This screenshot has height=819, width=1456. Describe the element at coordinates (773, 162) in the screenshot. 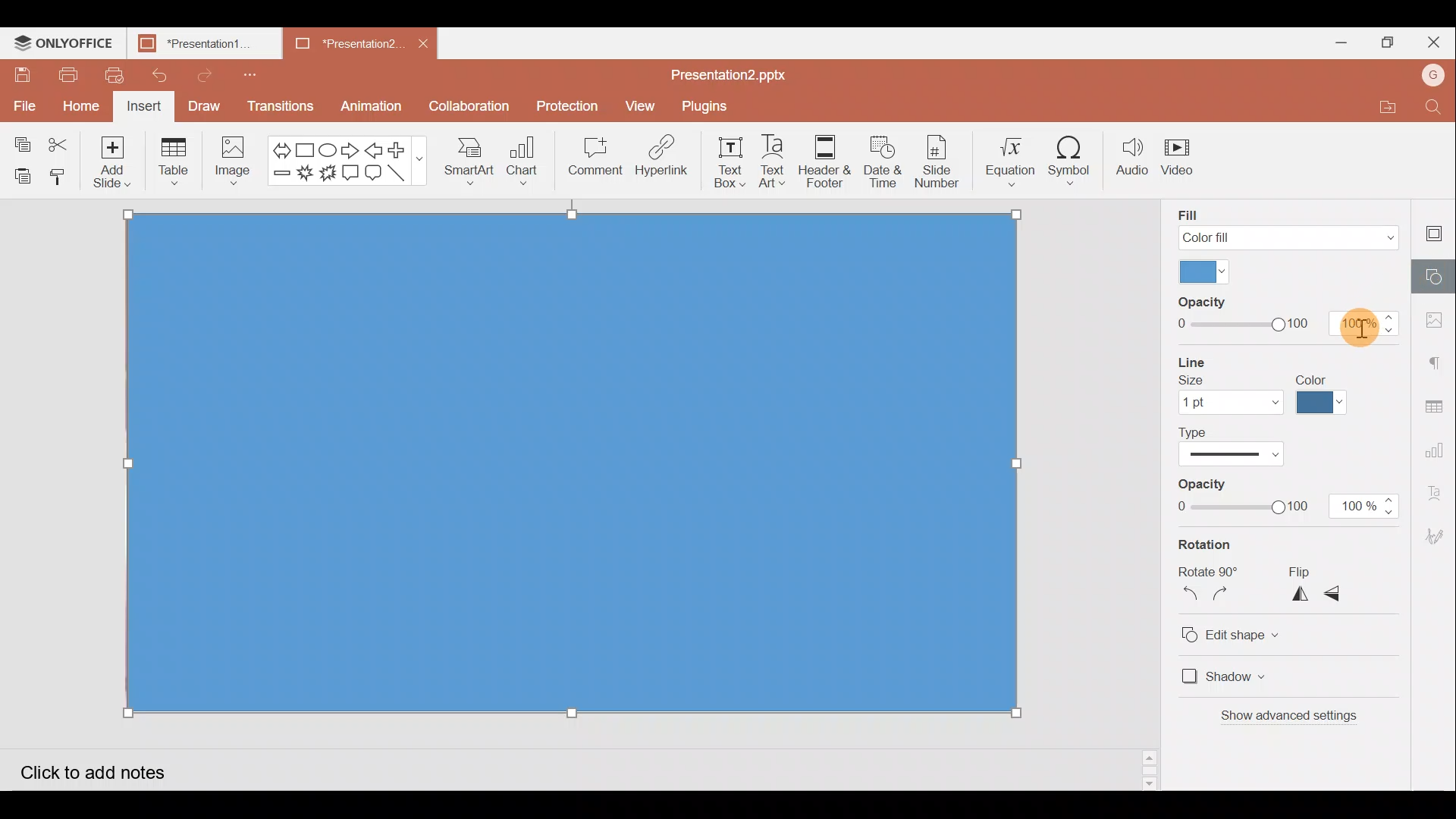

I see `Text Art` at that location.